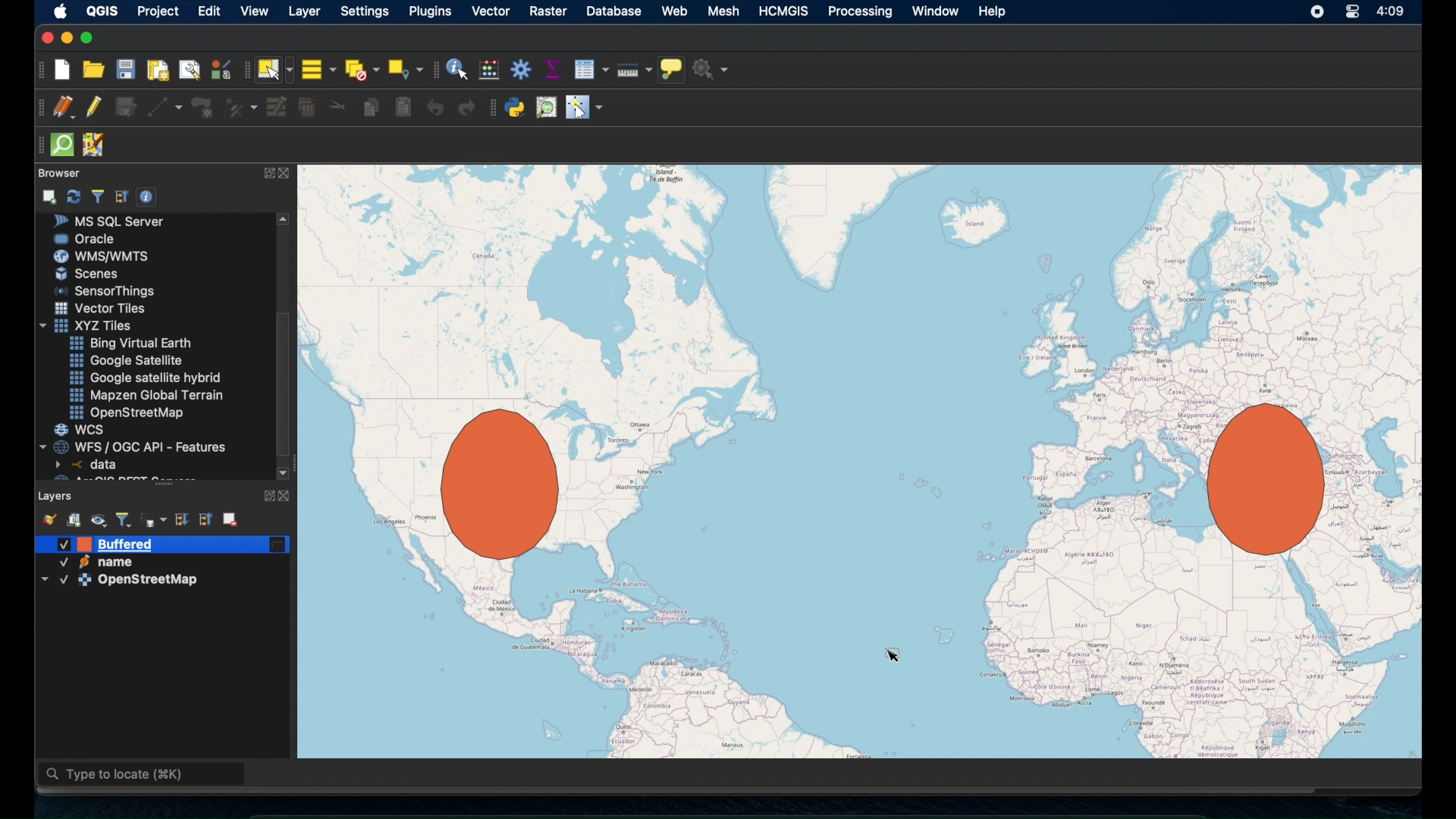  What do you see at coordinates (548, 107) in the screenshot?
I see `osm place search` at bounding box center [548, 107].